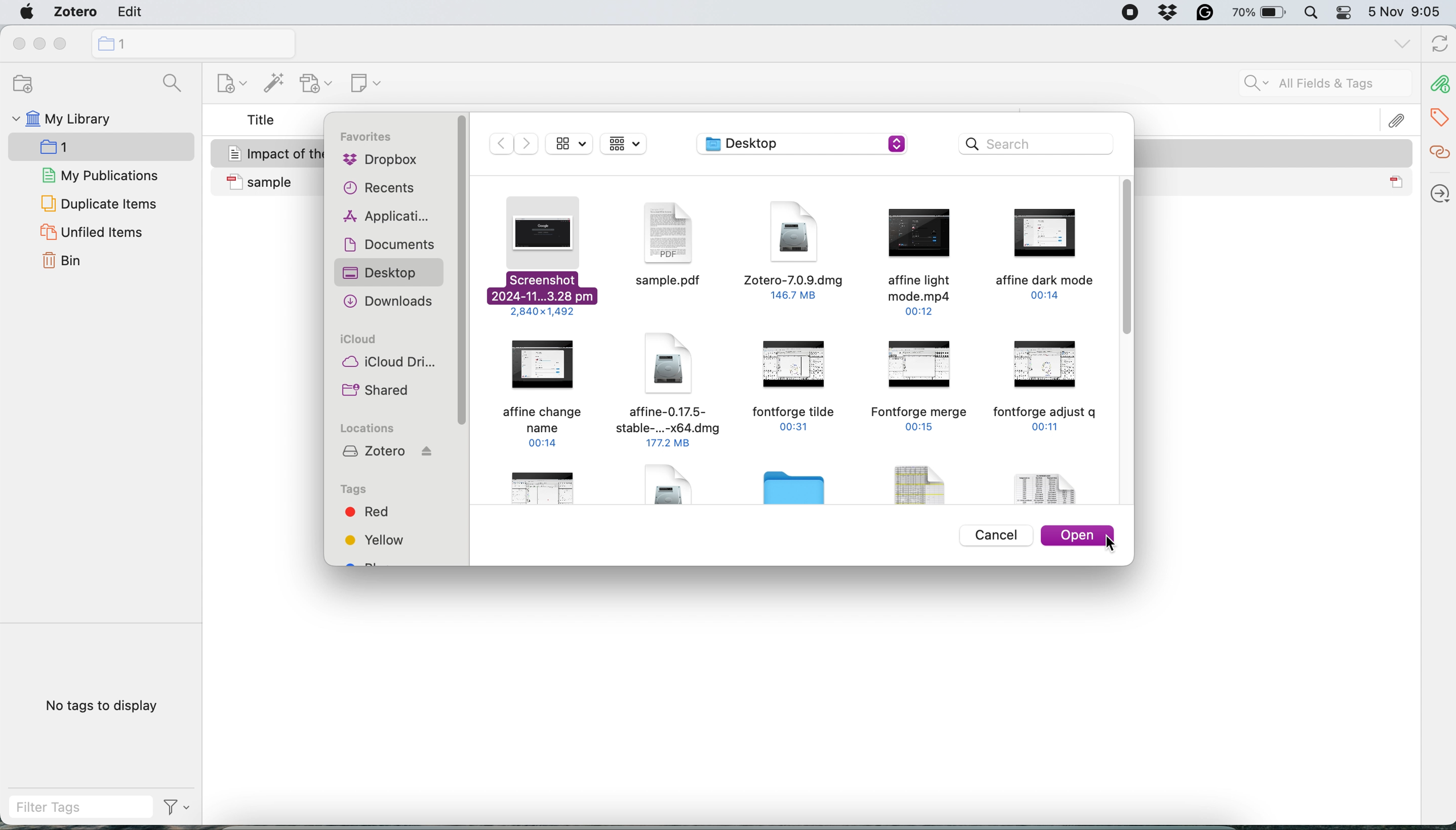  I want to click on edit, so click(127, 14).